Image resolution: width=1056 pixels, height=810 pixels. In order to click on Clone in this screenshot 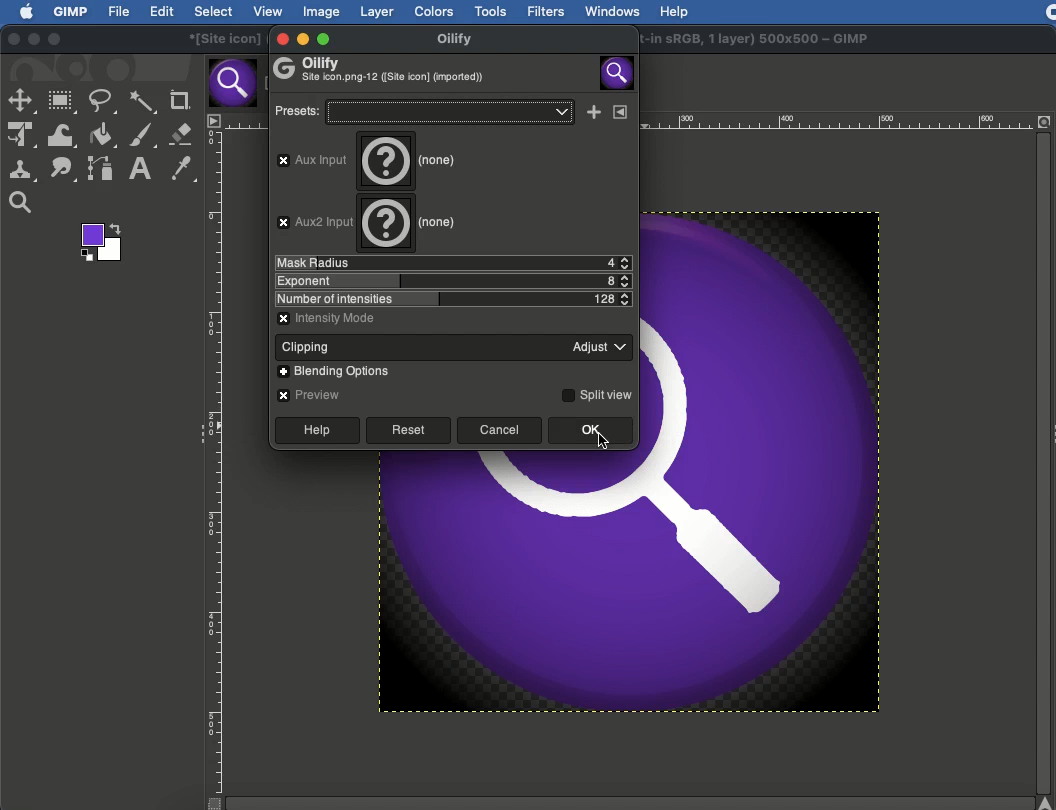, I will do `click(23, 170)`.